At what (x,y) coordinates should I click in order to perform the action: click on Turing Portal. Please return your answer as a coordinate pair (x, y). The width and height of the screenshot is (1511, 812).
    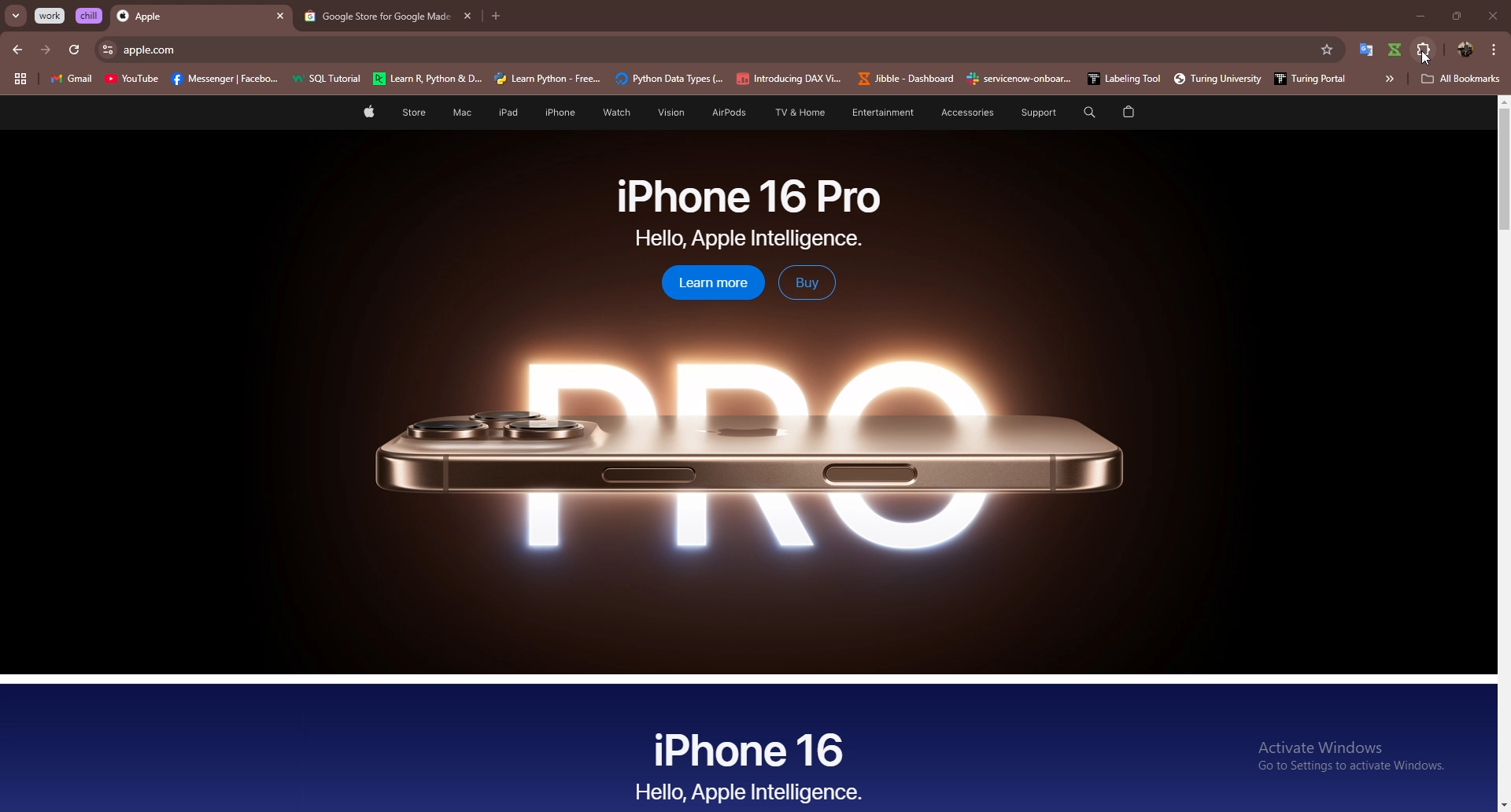
    Looking at the image, I should click on (1306, 77).